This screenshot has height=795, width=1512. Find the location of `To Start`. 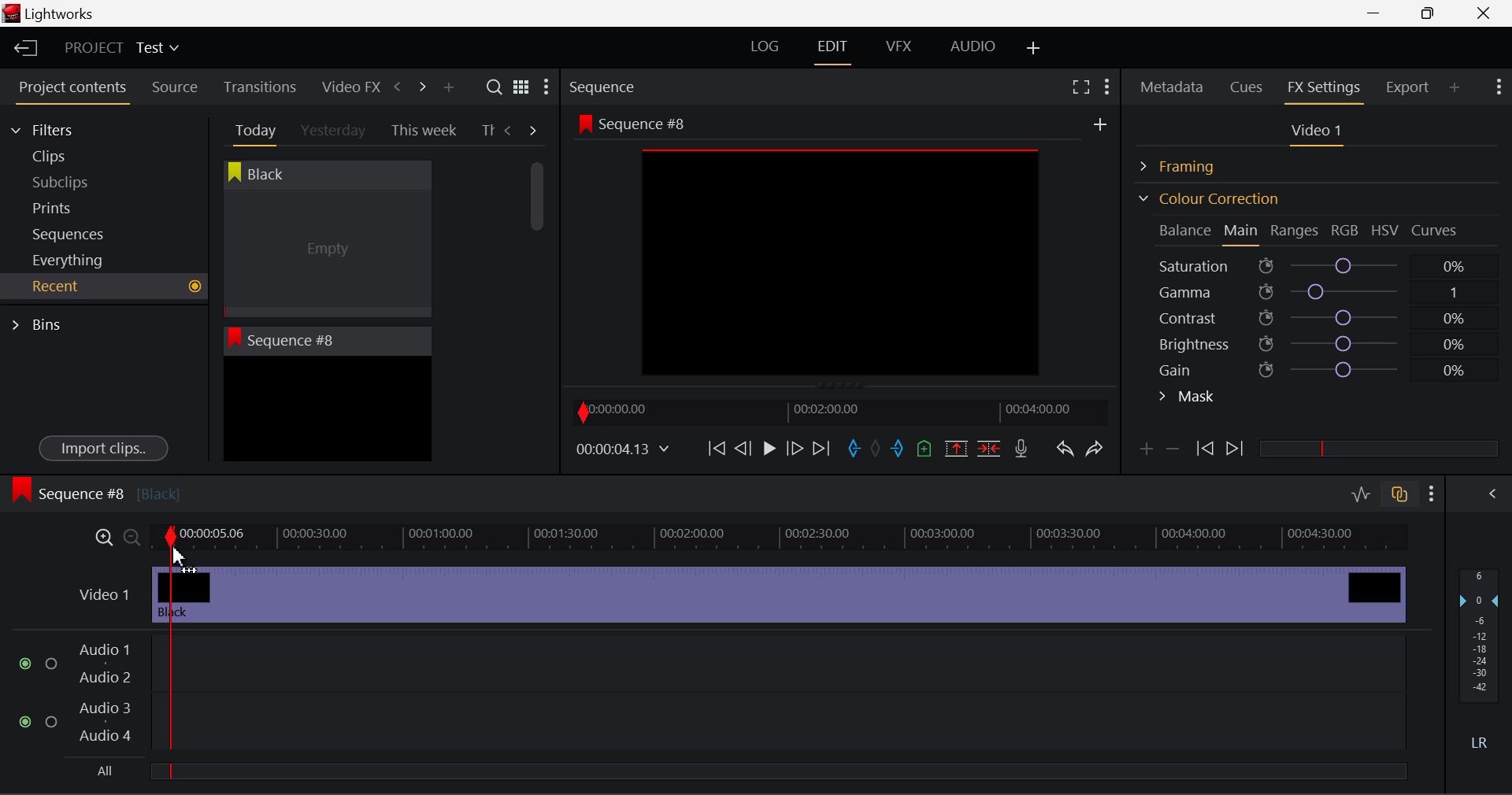

To Start is located at coordinates (715, 448).